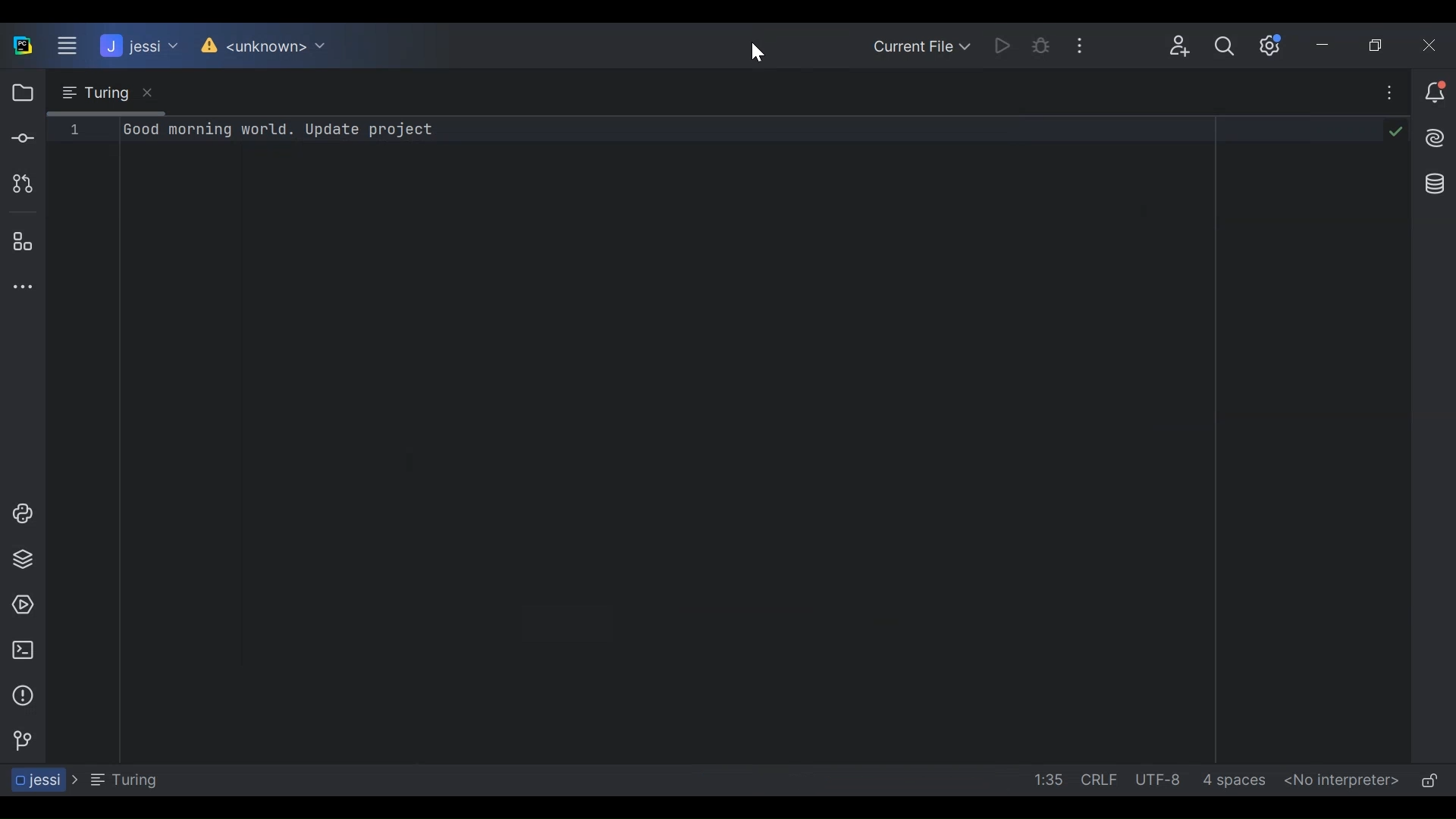 The height and width of the screenshot is (819, 1456). Describe the element at coordinates (1382, 95) in the screenshot. I see `More` at that location.